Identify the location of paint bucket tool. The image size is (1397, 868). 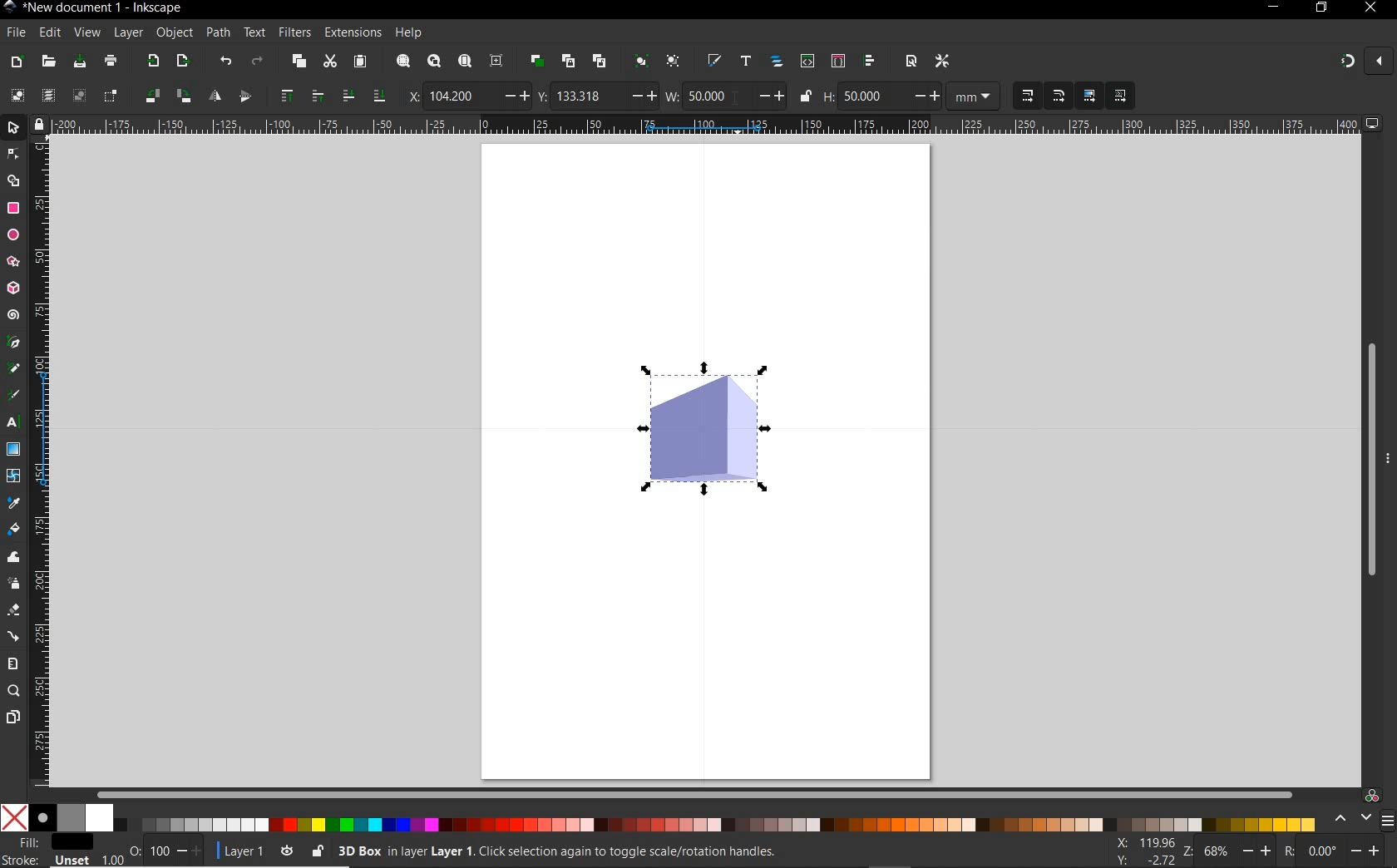
(15, 530).